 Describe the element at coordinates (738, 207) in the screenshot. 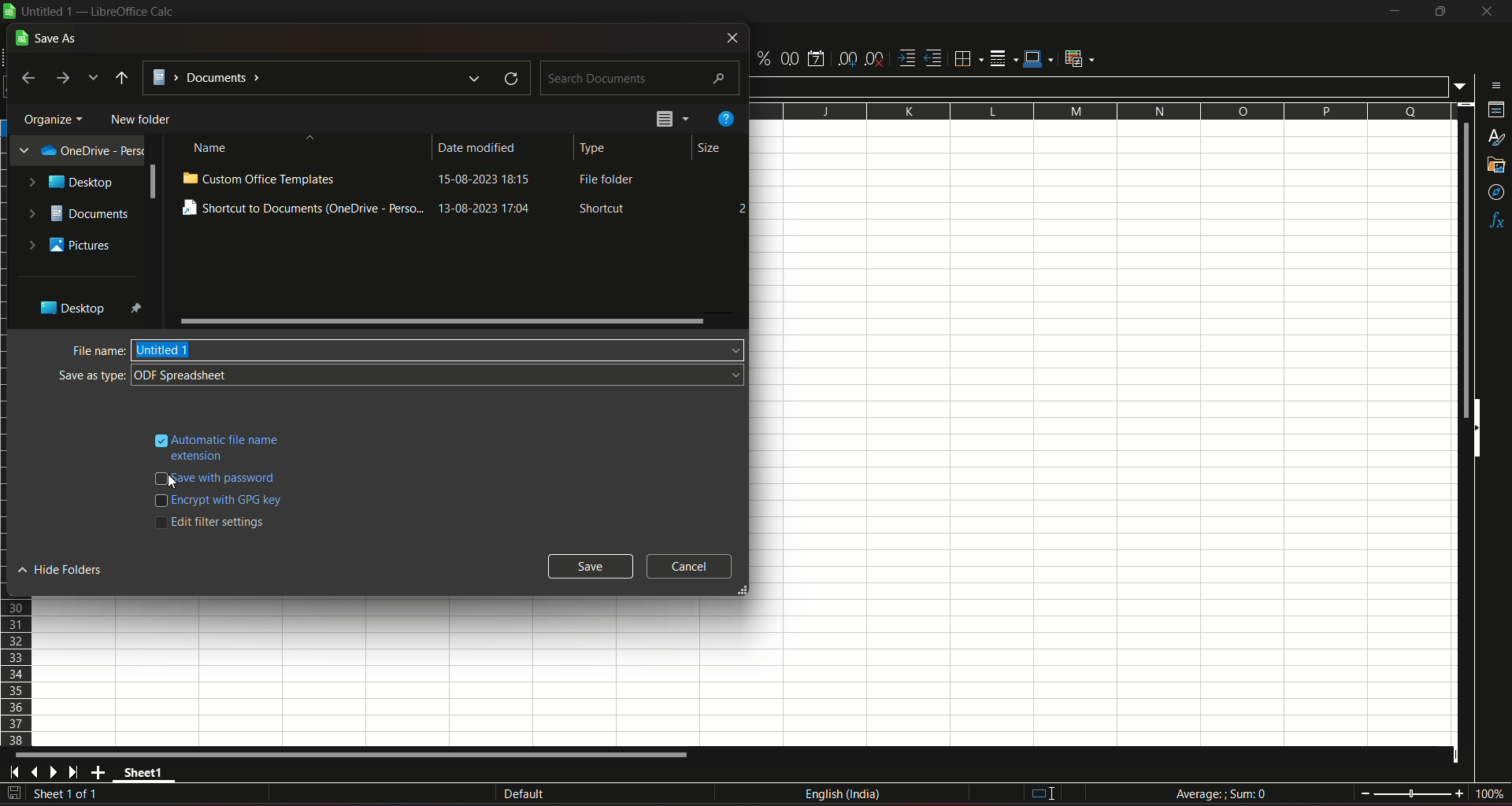

I see `number` at that location.